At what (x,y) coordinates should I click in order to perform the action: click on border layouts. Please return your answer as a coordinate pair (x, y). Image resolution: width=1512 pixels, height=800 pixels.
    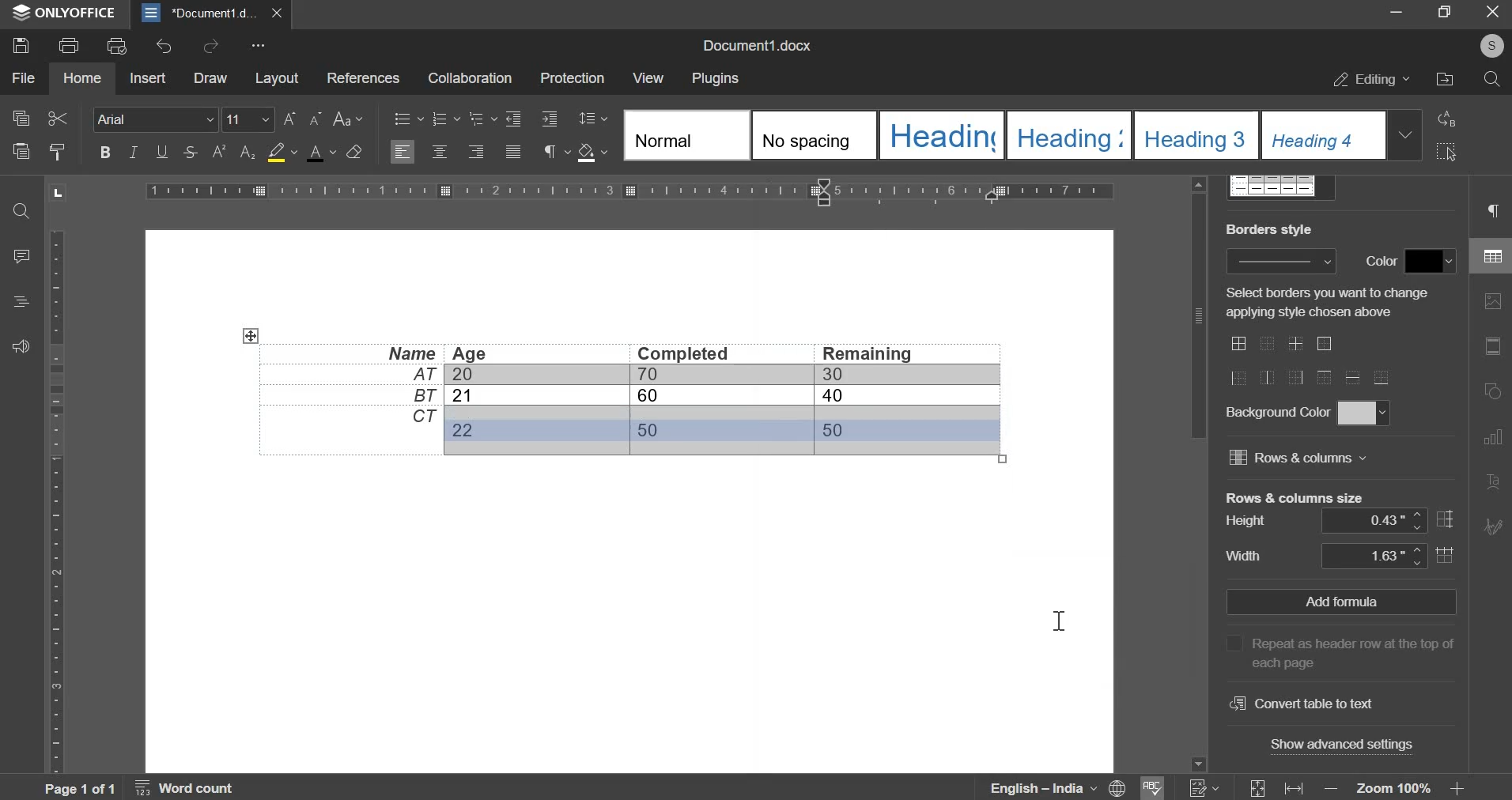
    Looking at the image, I should click on (1318, 362).